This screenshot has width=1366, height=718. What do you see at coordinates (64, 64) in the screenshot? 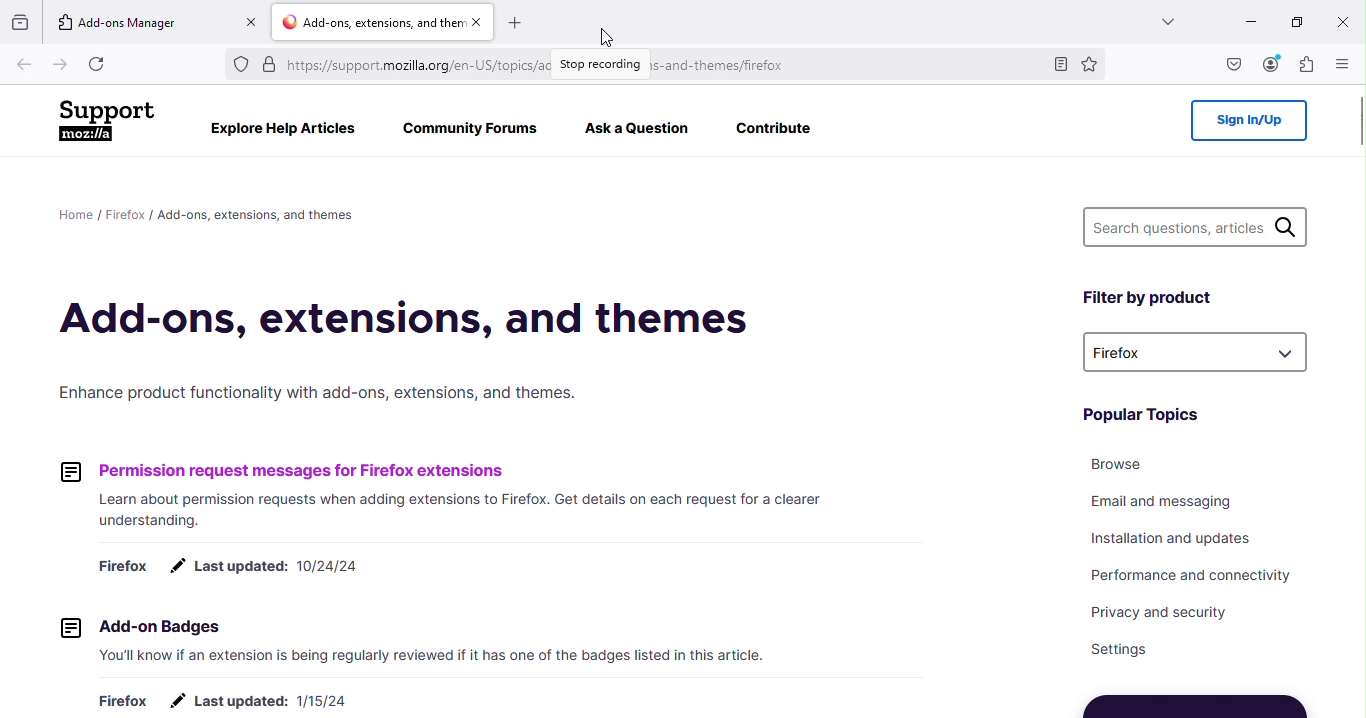
I see `Go forward one page` at bounding box center [64, 64].